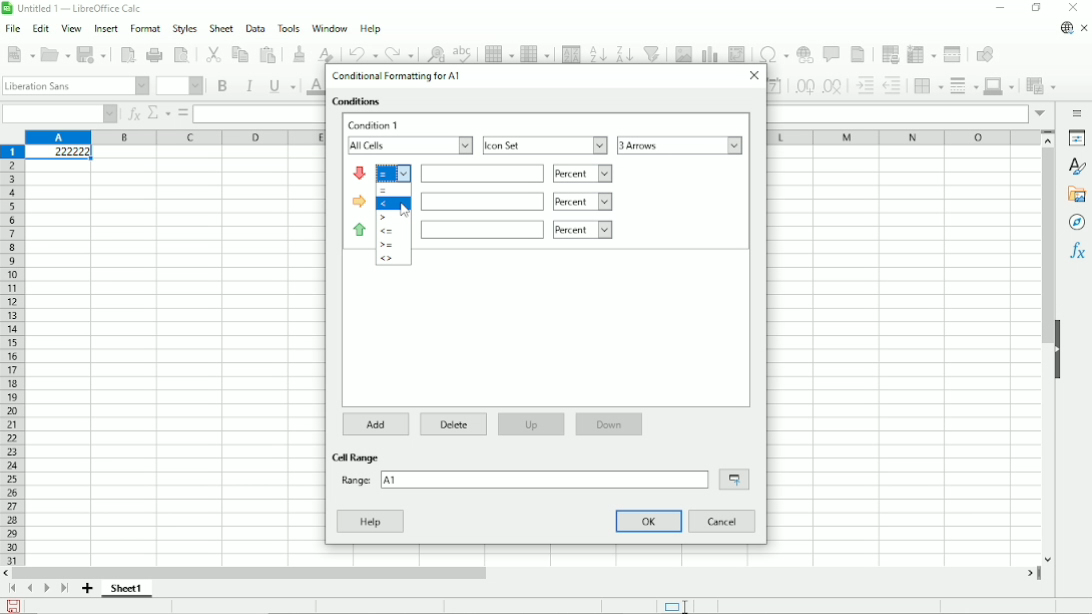 This screenshot has height=614, width=1092. I want to click on Scroll to next page, so click(47, 589).